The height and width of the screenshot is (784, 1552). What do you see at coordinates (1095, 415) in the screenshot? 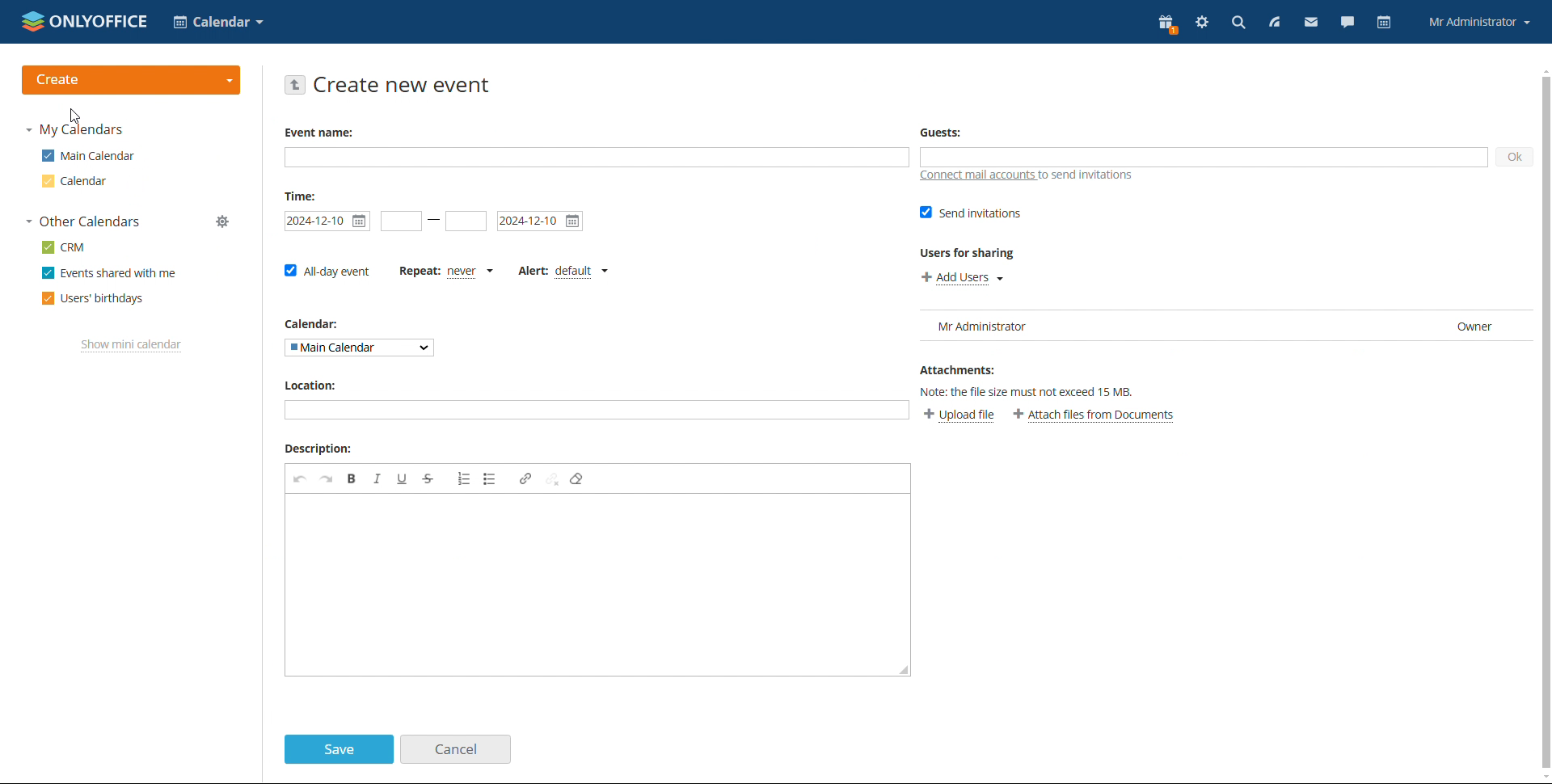
I see `attach file from documents` at bounding box center [1095, 415].